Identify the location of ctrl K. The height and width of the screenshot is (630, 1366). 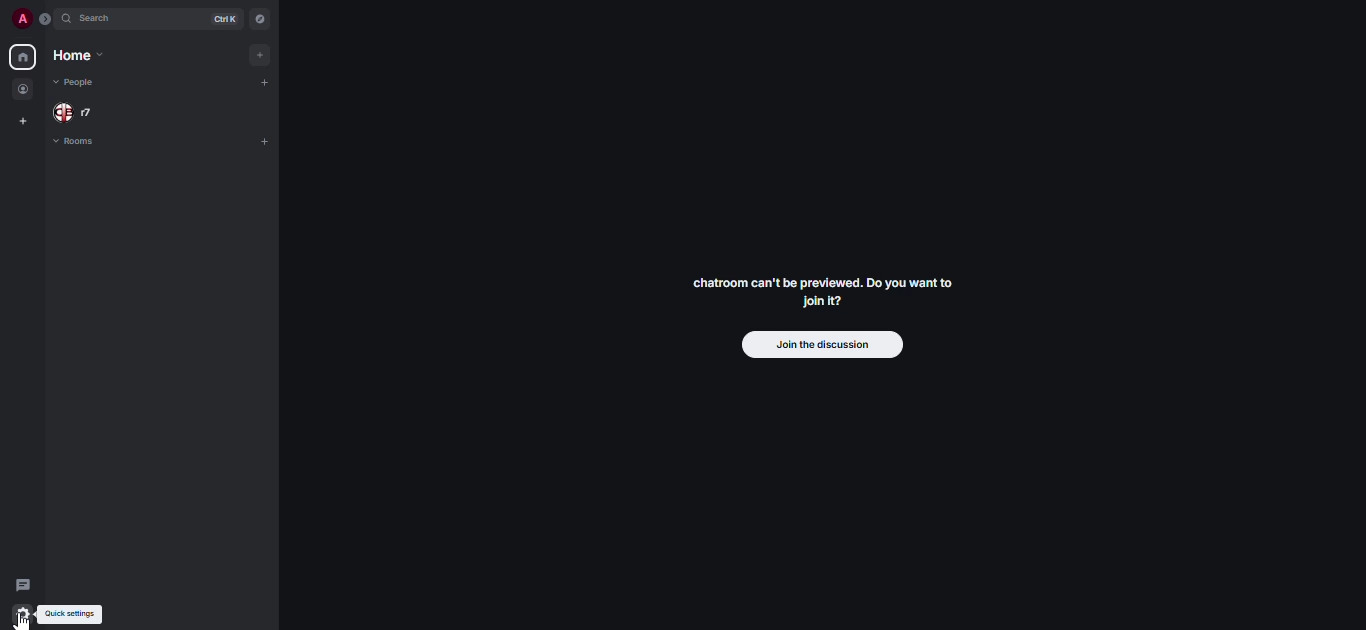
(220, 19).